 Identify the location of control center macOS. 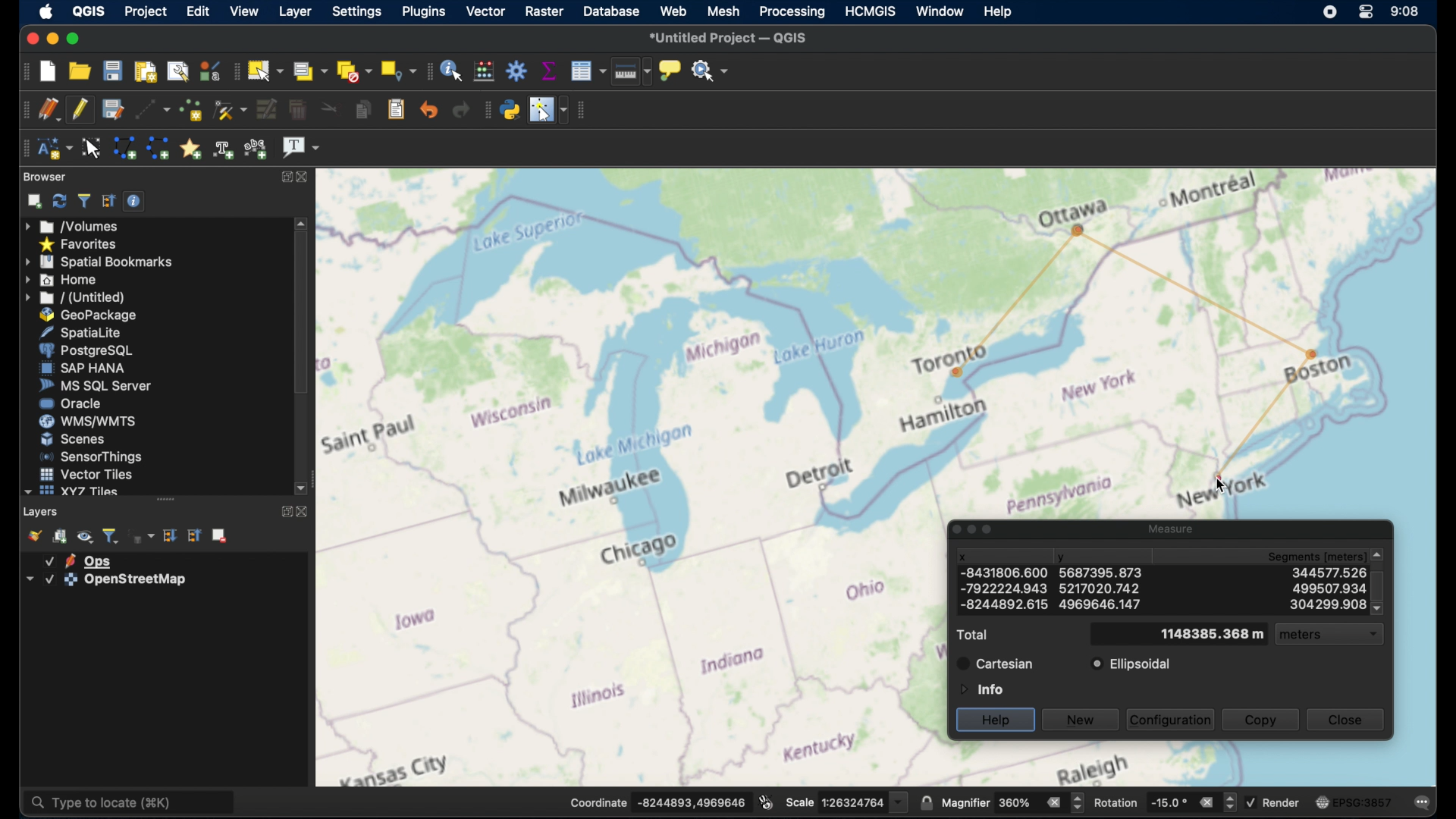
(1364, 13).